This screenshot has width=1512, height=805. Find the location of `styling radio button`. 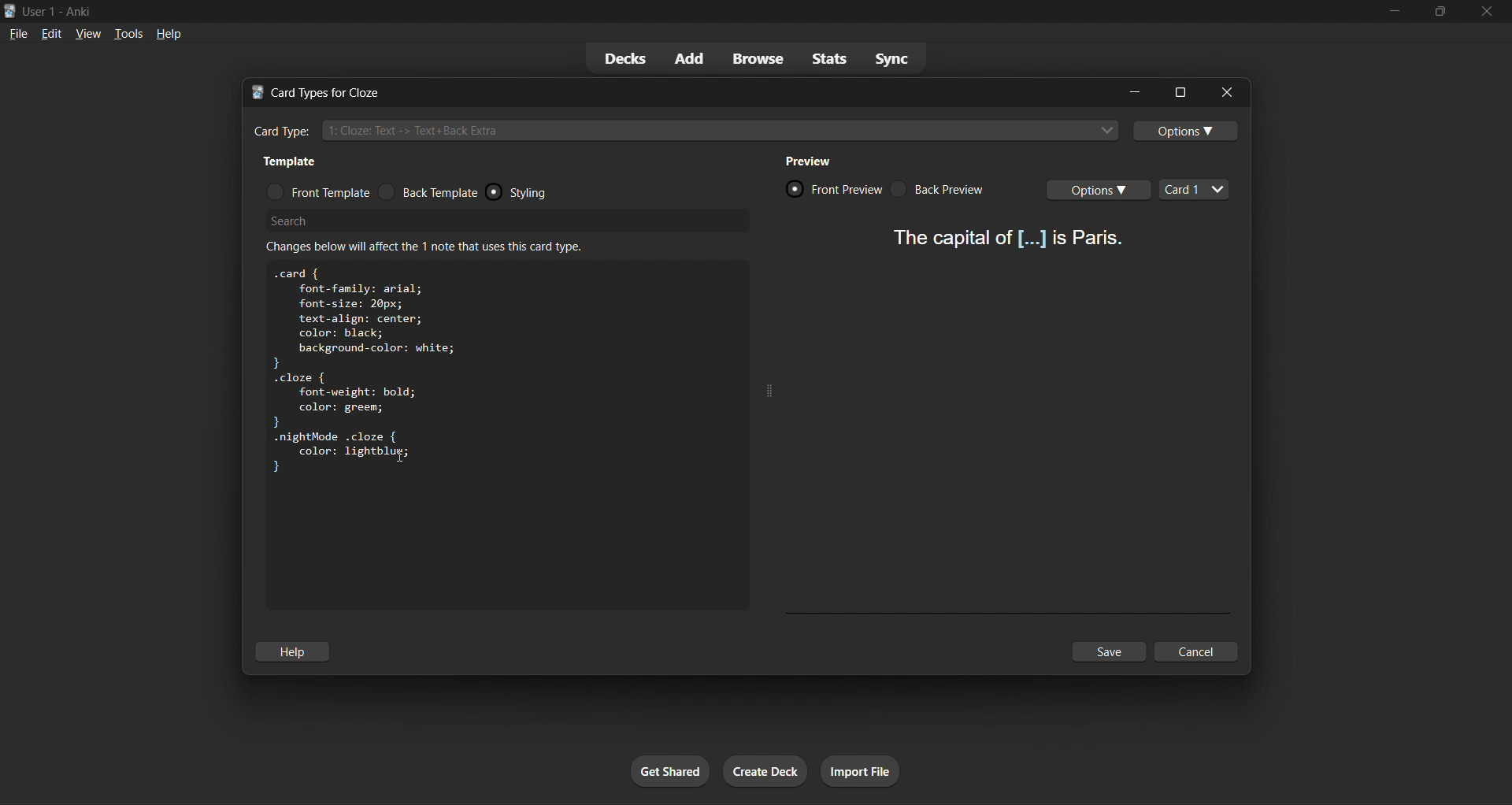

styling radio button is located at coordinates (552, 192).